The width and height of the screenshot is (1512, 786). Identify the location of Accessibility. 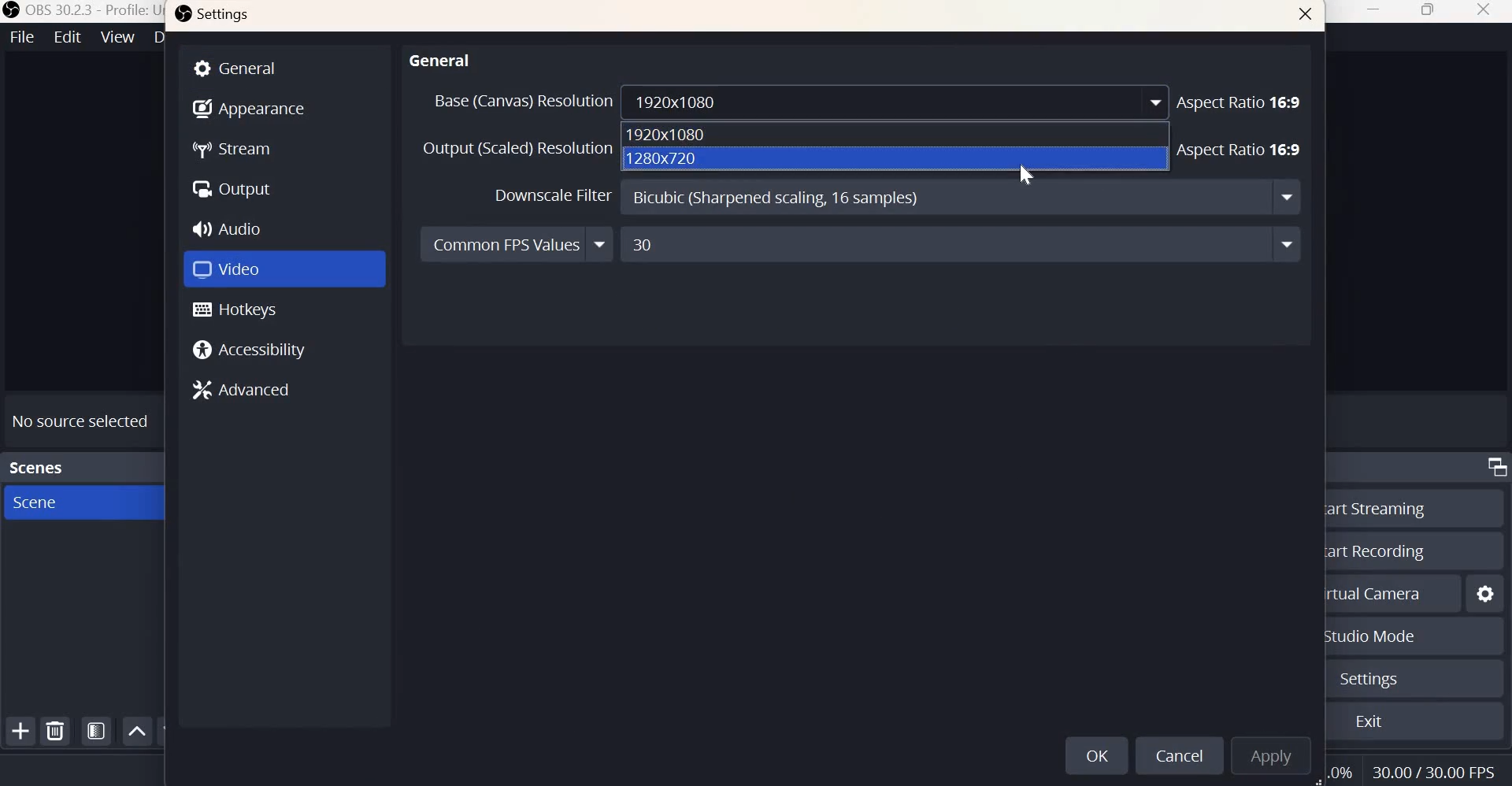
(254, 350).